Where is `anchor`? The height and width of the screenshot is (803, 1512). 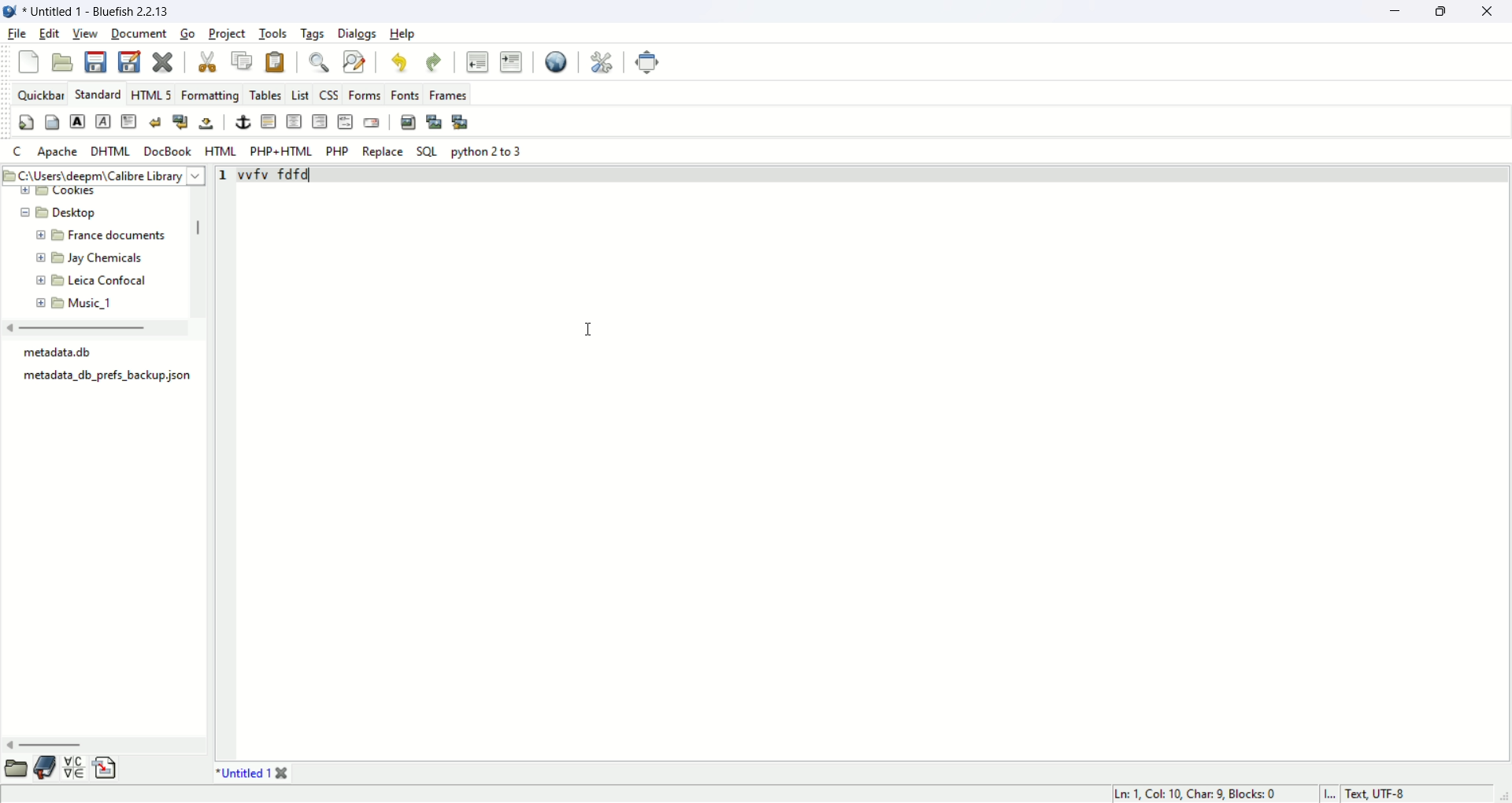
anchor is located at coordinates (243, 122).